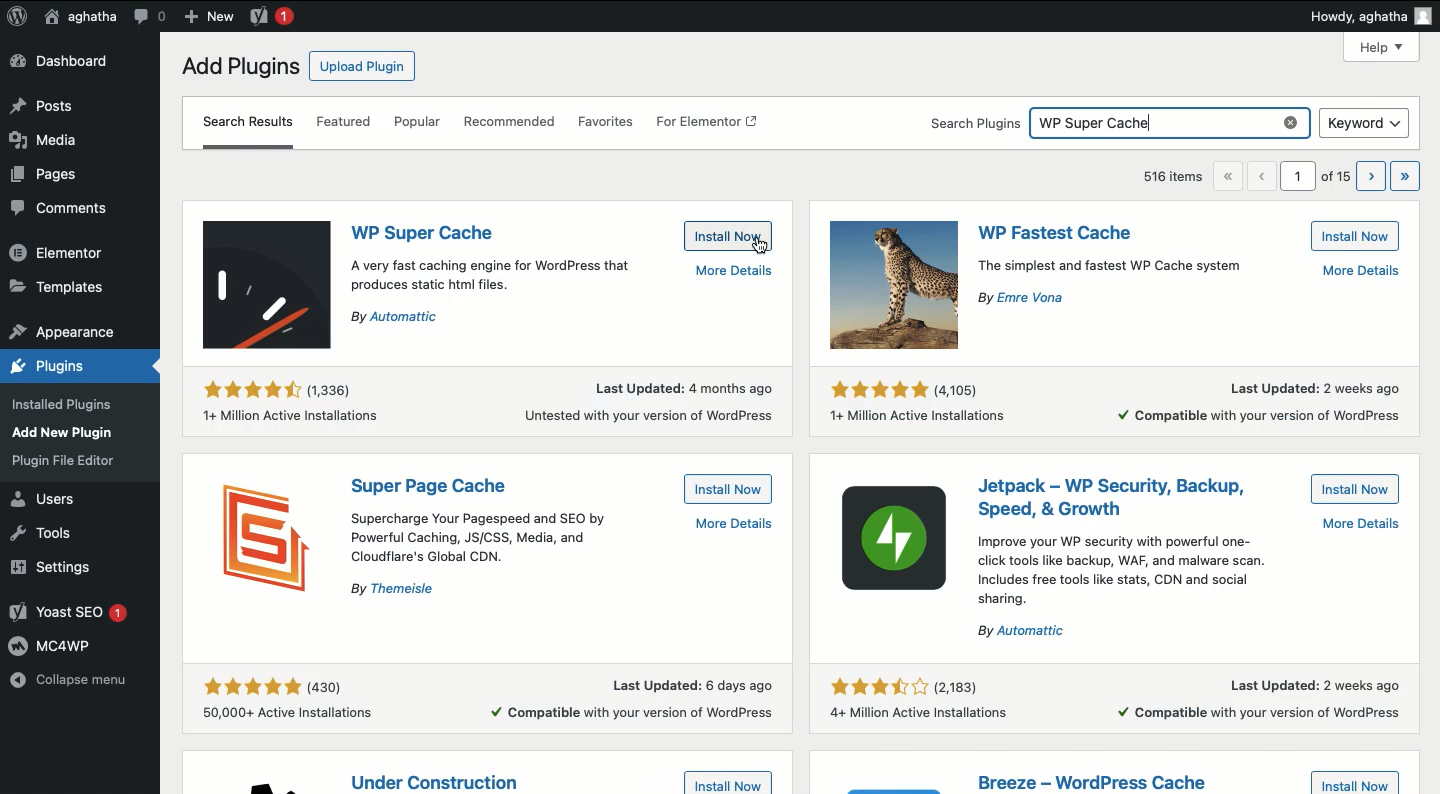 Image resolution: width=1440 pixels, height=794 pixels. What do you see at coordinates (511, 120) in the screenshot?
I see `Recommended` at bounding box center [511, 120].